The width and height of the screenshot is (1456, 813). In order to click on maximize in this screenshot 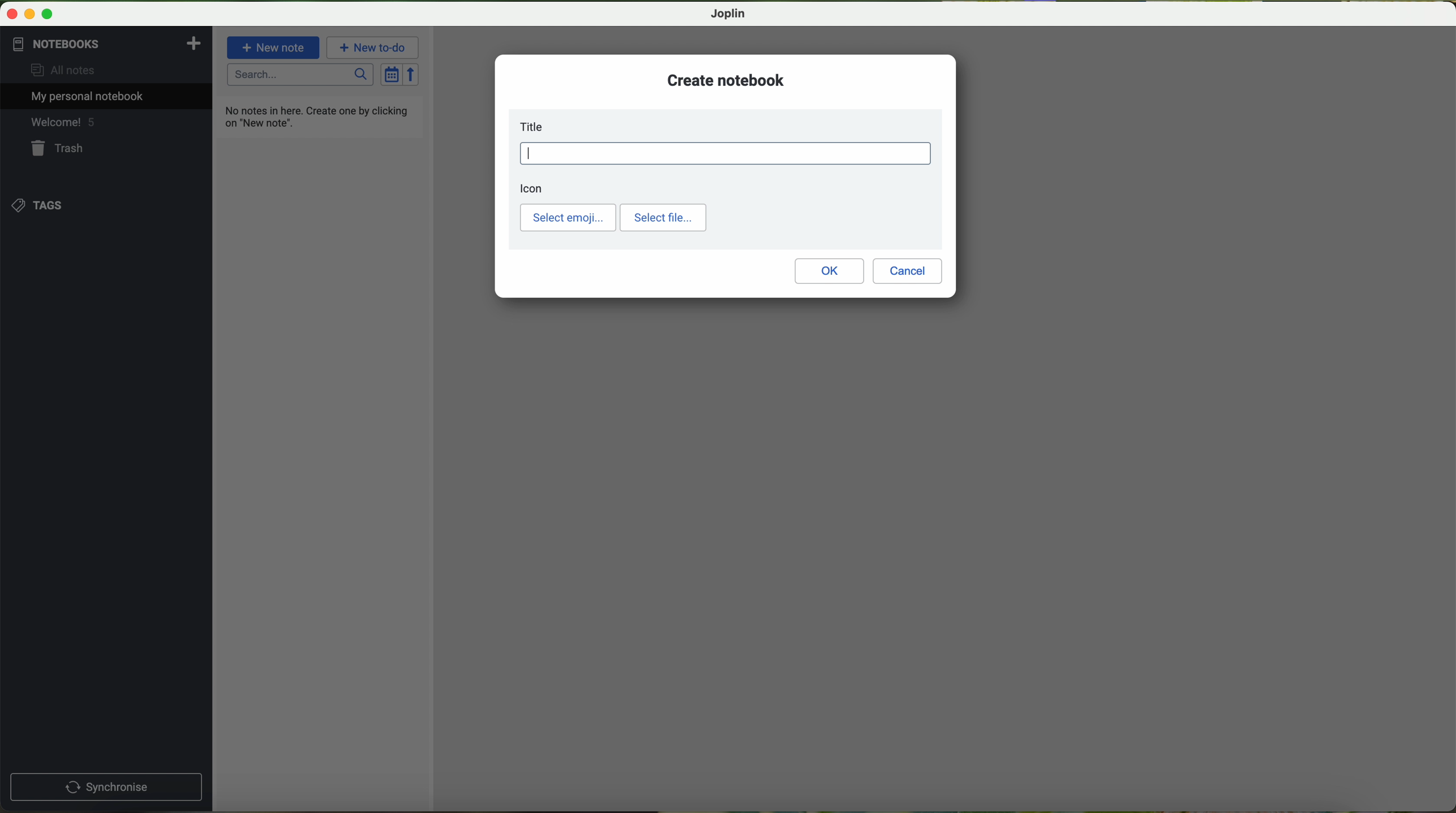, I will do `click(47, 15)`.